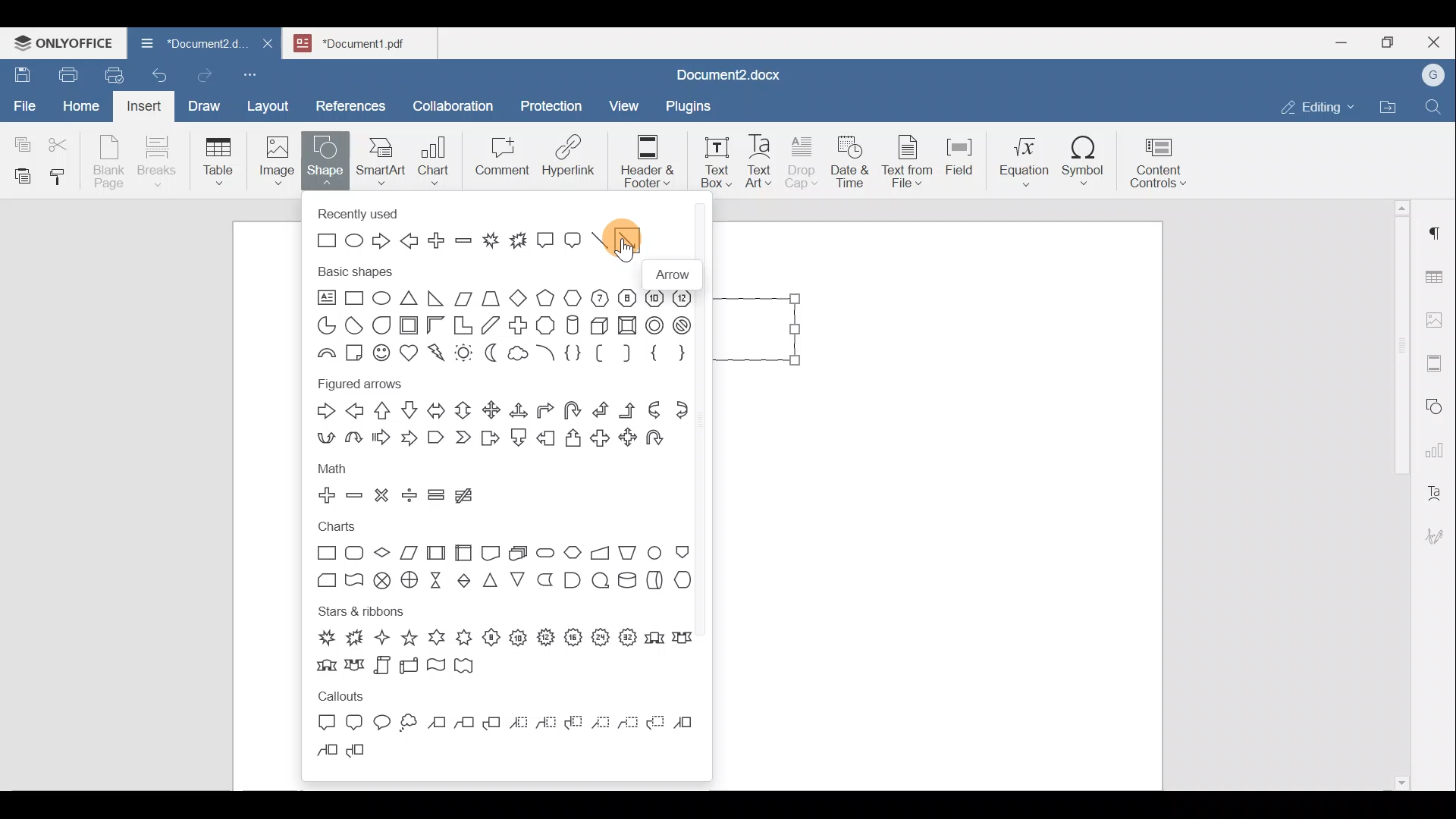 This screenshot has height=819, width=1456. Describe the element at coordinates (706, 162) in the screenshot. I see `Text box` at that location.